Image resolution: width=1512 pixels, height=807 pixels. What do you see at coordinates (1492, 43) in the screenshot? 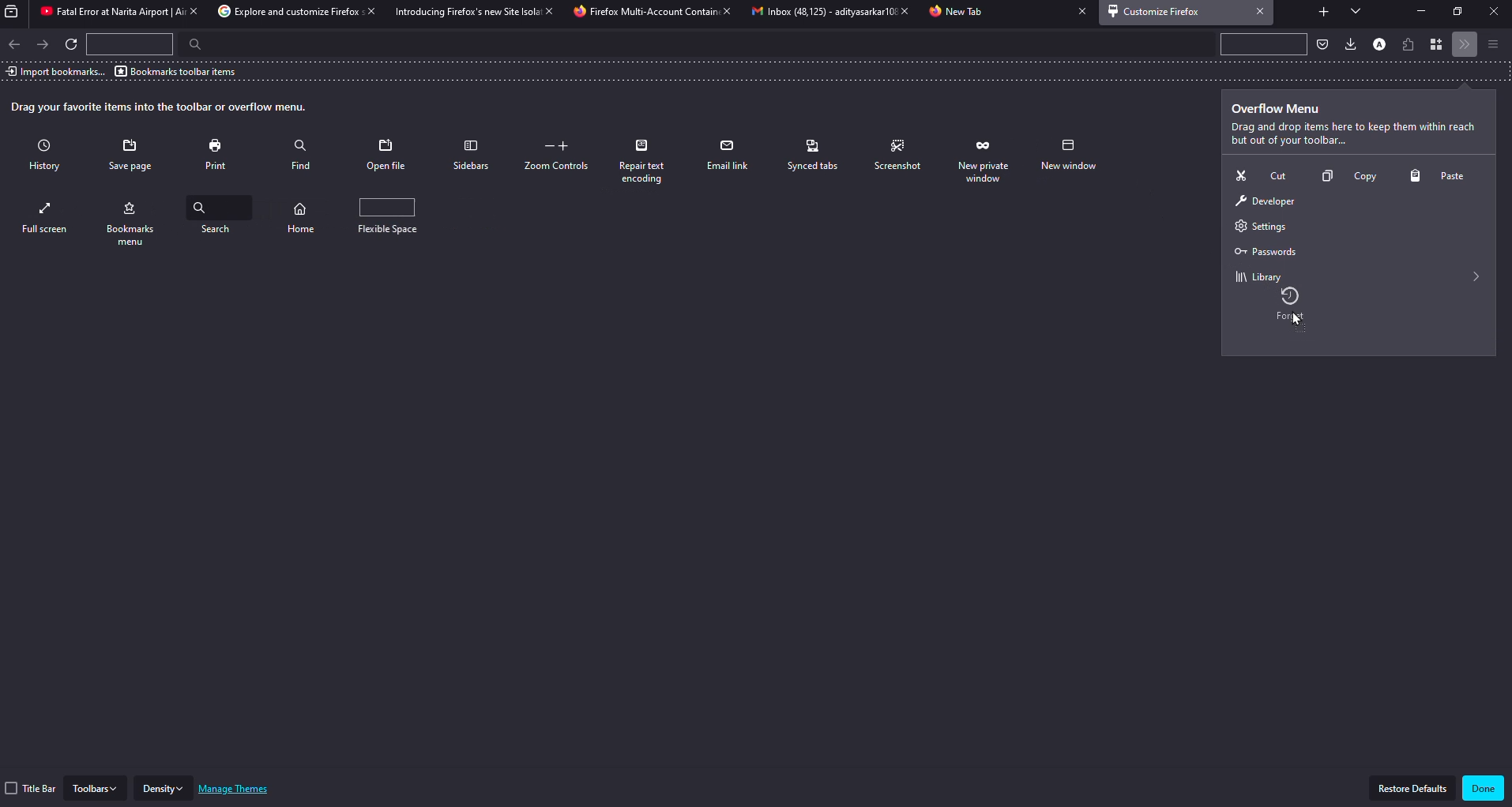
I see `menu` at bounding box center [1492, 43].